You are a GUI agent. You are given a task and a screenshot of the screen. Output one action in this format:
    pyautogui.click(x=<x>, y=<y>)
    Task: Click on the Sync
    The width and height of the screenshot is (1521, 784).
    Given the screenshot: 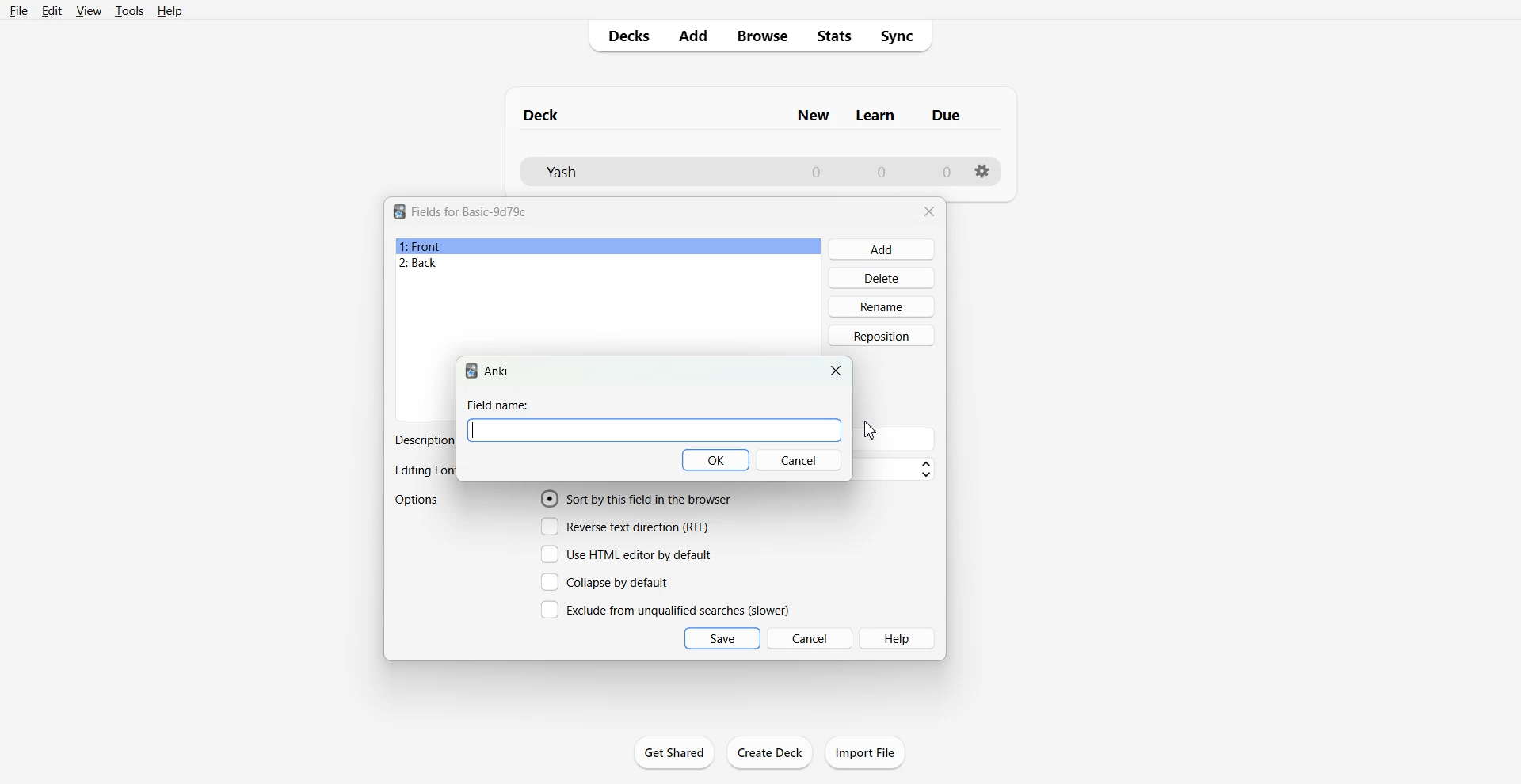 What is the action you would take?
    pyautogui.click(x=902, y=36)
    